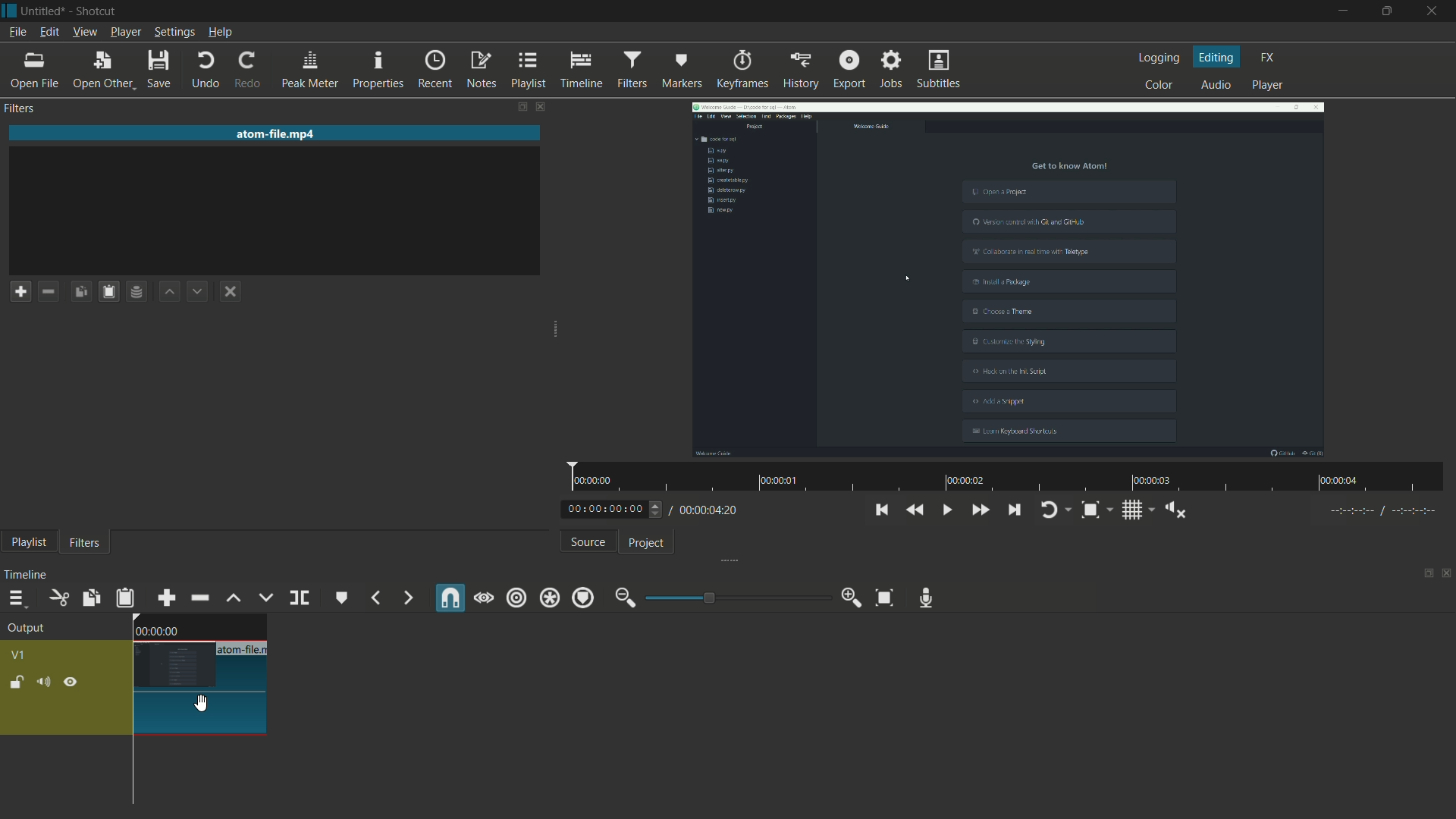 This screenshot has width=1456, height=819. I want to click on toggle grid, so click(1131, 509).